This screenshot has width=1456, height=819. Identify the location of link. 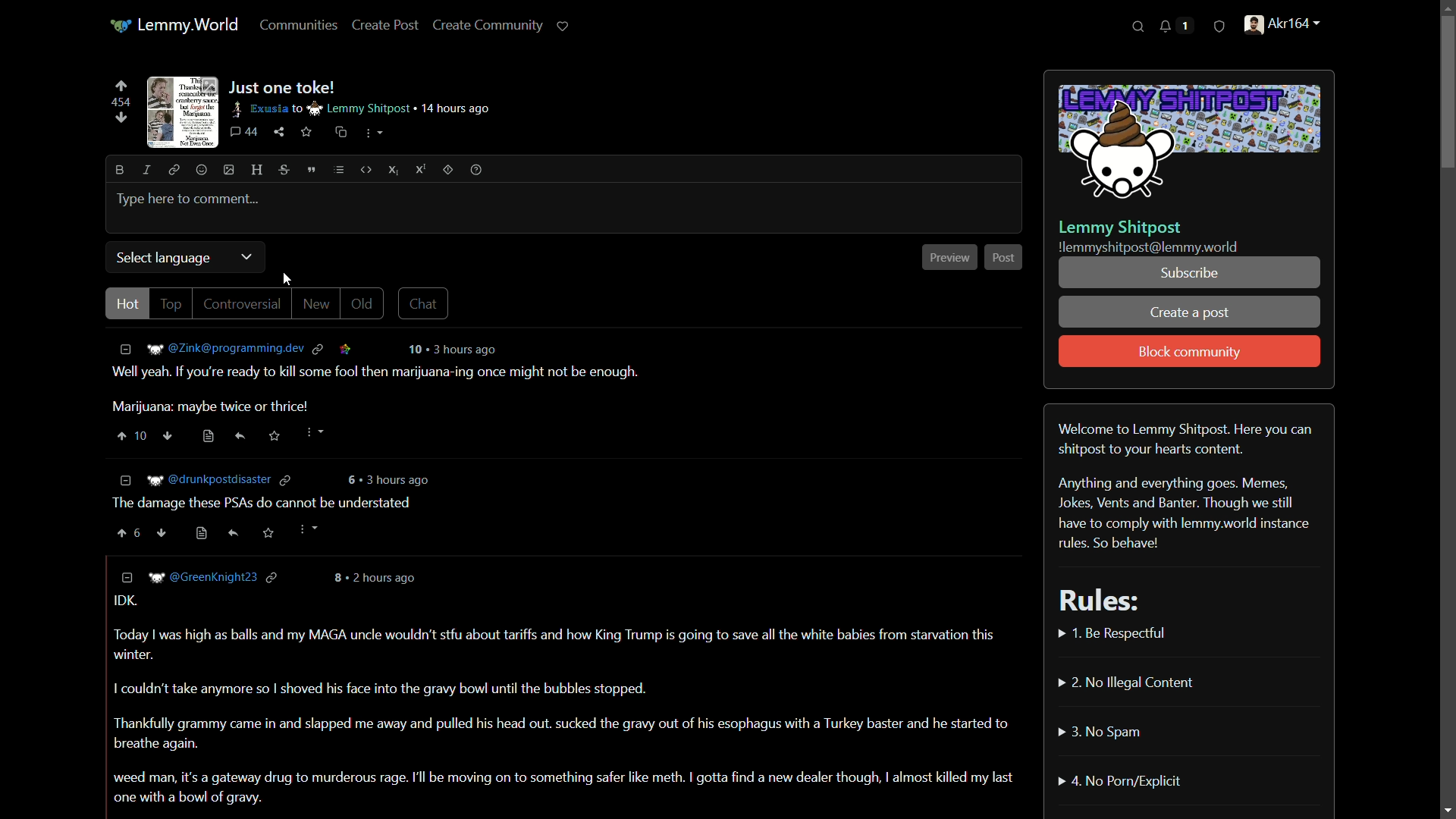
(172, 170).